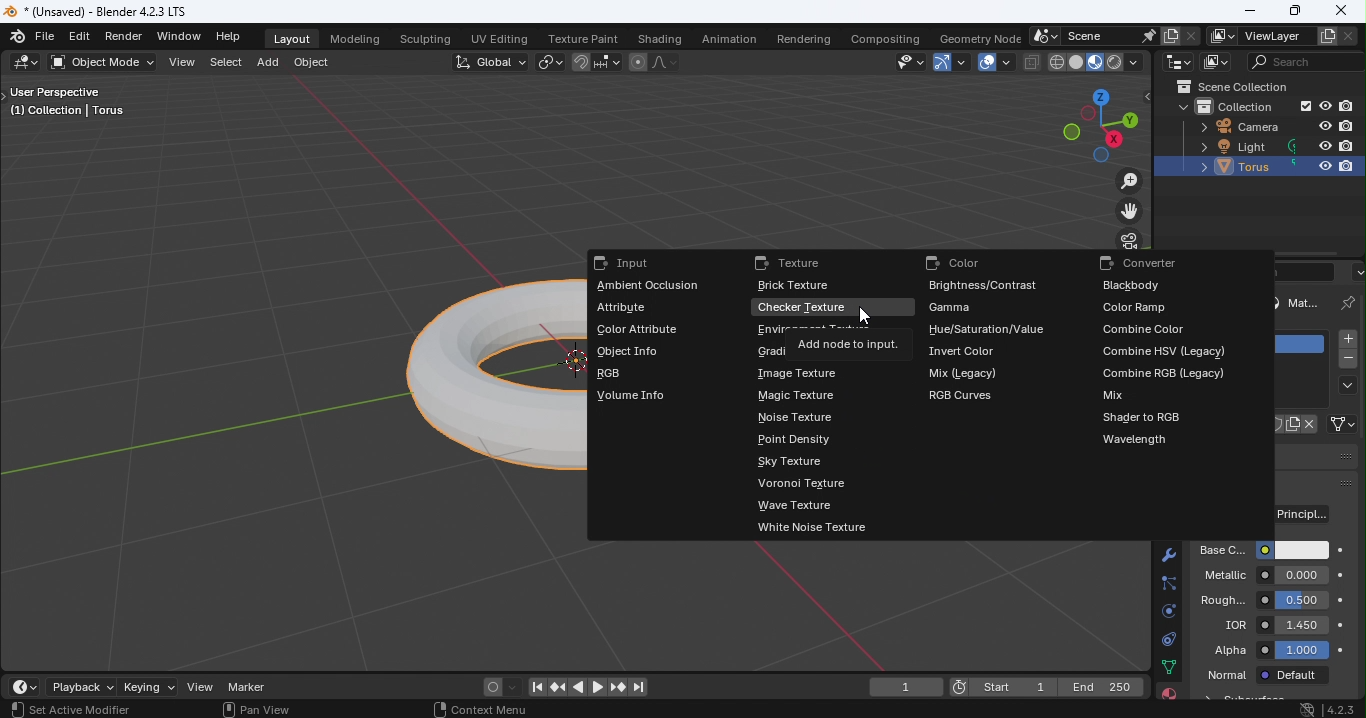  Describe the element at coordinates (1096, 125) in the screenshot. I see `Use a preset viewpoint` at that location.